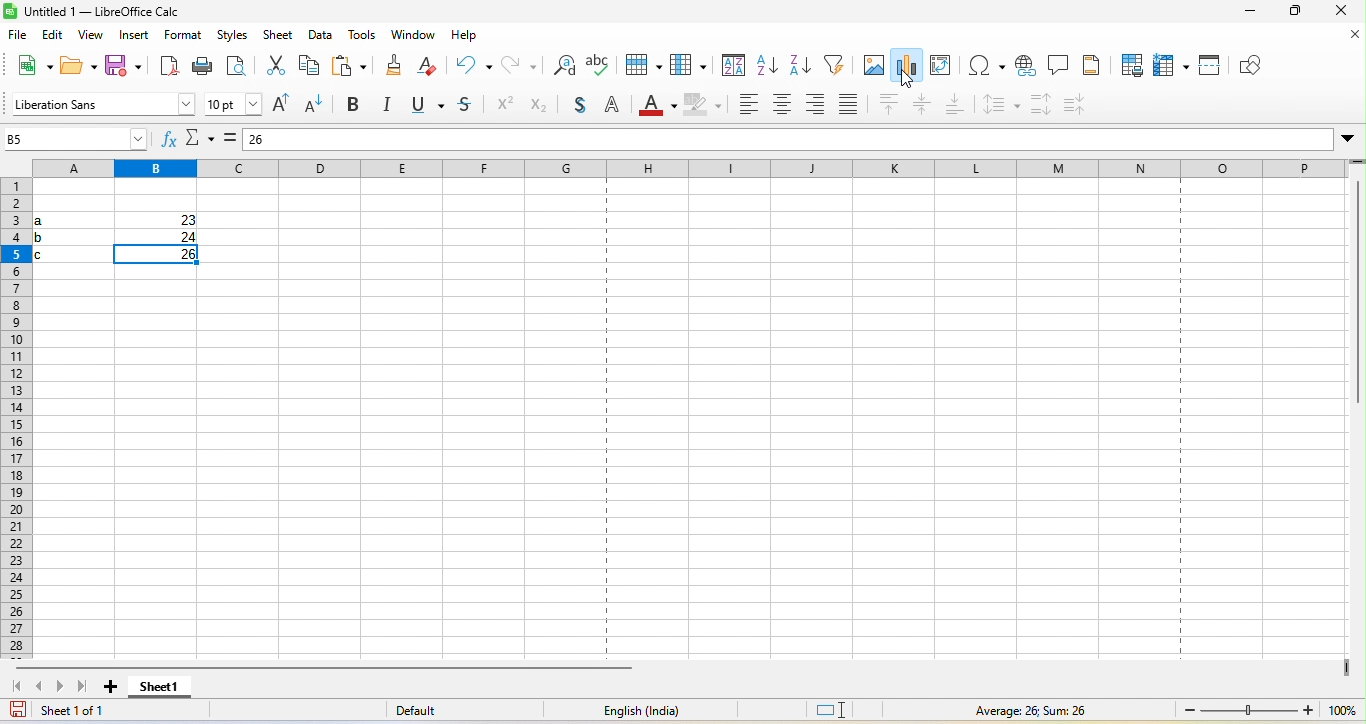  What do you see at coordinates (694, 165) in the screenshot?
I see `column headings` at bounding box center [694, 165].